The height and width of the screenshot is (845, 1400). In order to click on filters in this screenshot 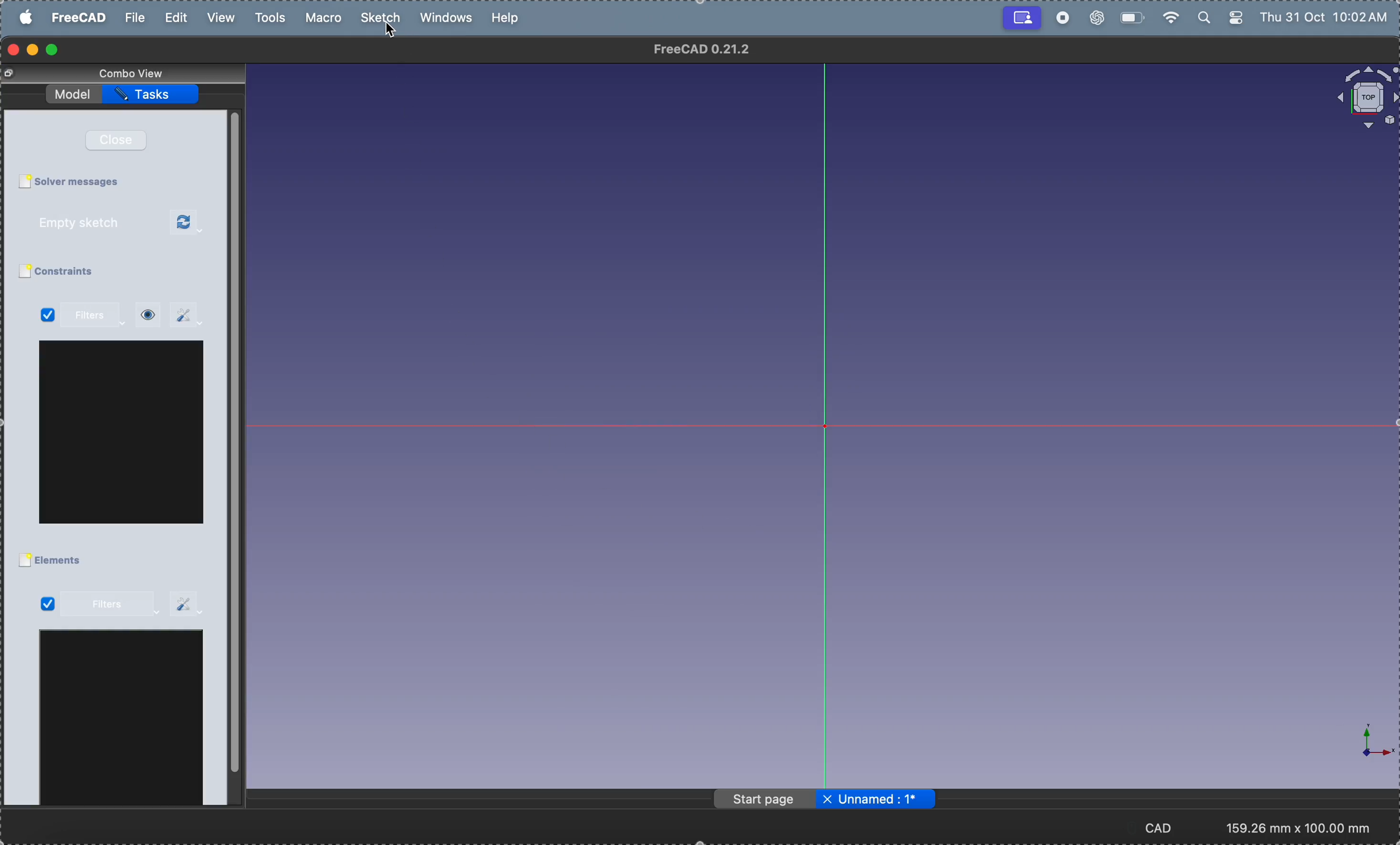, I will do `click(97, 316)`.